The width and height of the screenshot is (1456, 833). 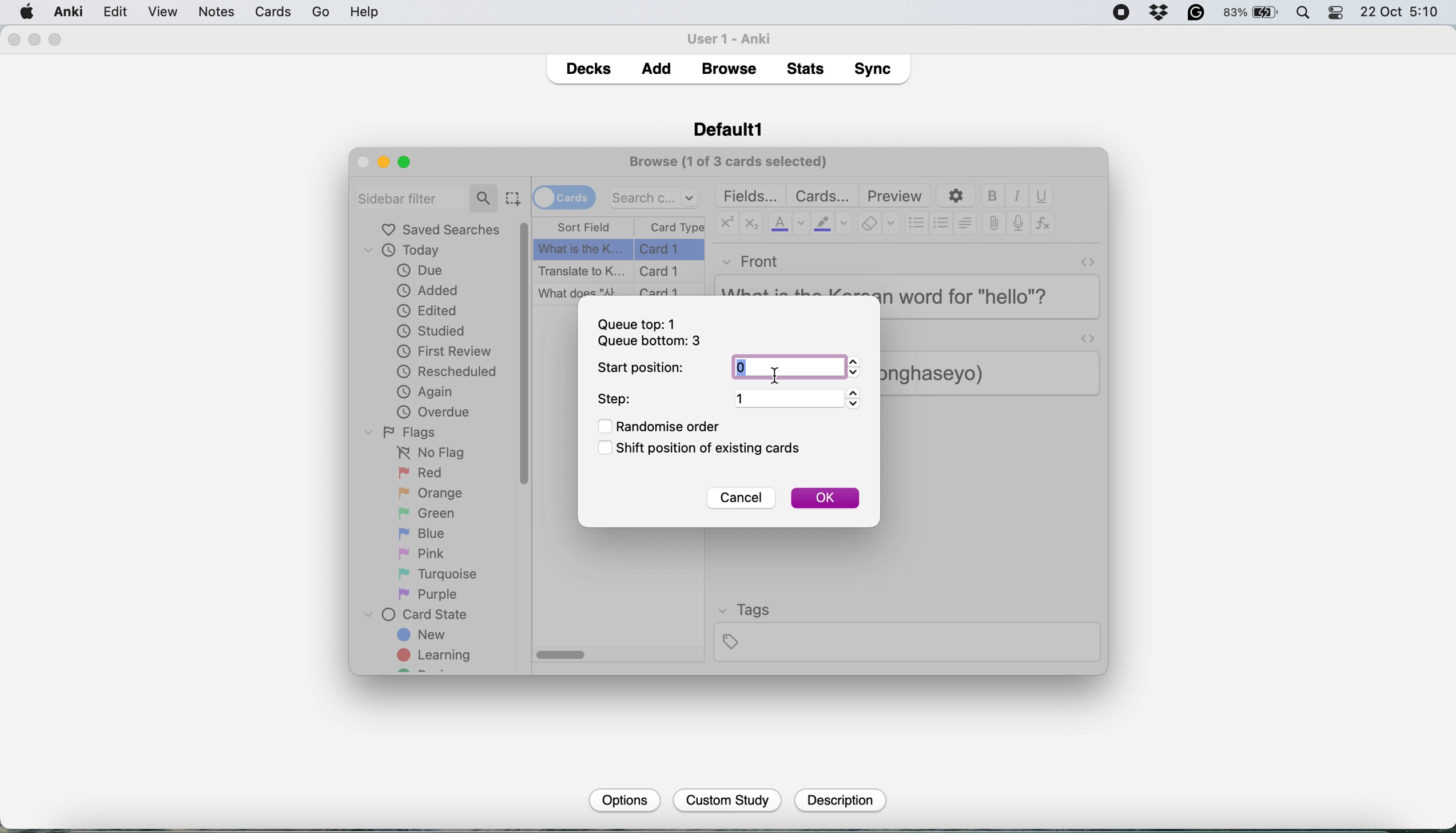 What do you see at coordinates (526, 354) in the screenshot?
I see `side bar vertical scroll bar` at bounding box center [526, 354].